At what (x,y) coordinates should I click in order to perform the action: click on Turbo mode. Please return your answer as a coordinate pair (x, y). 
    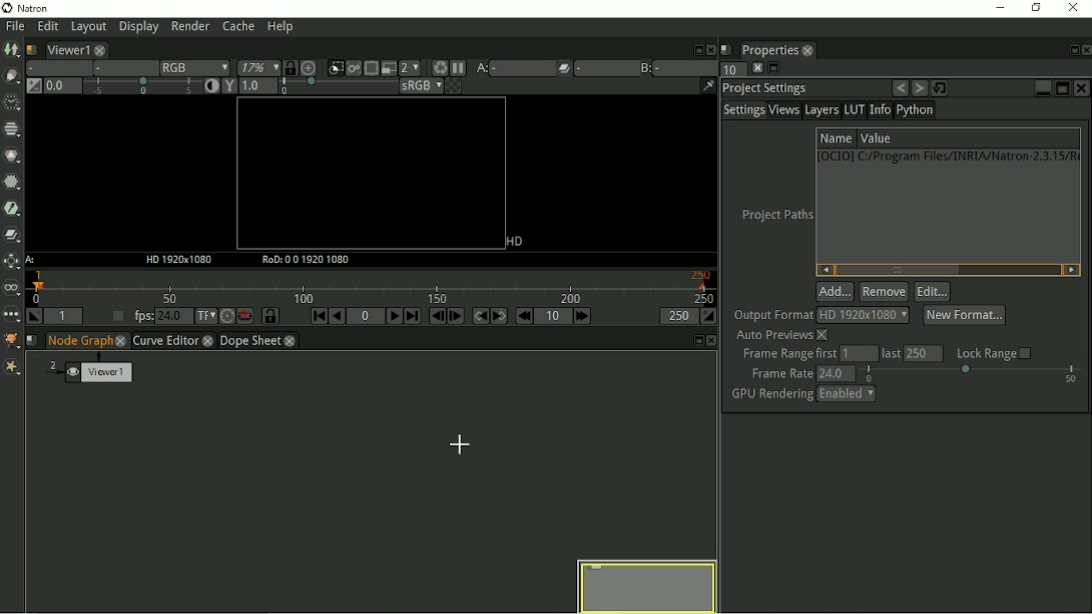
    Looking at the image, I should click on (221, 316).